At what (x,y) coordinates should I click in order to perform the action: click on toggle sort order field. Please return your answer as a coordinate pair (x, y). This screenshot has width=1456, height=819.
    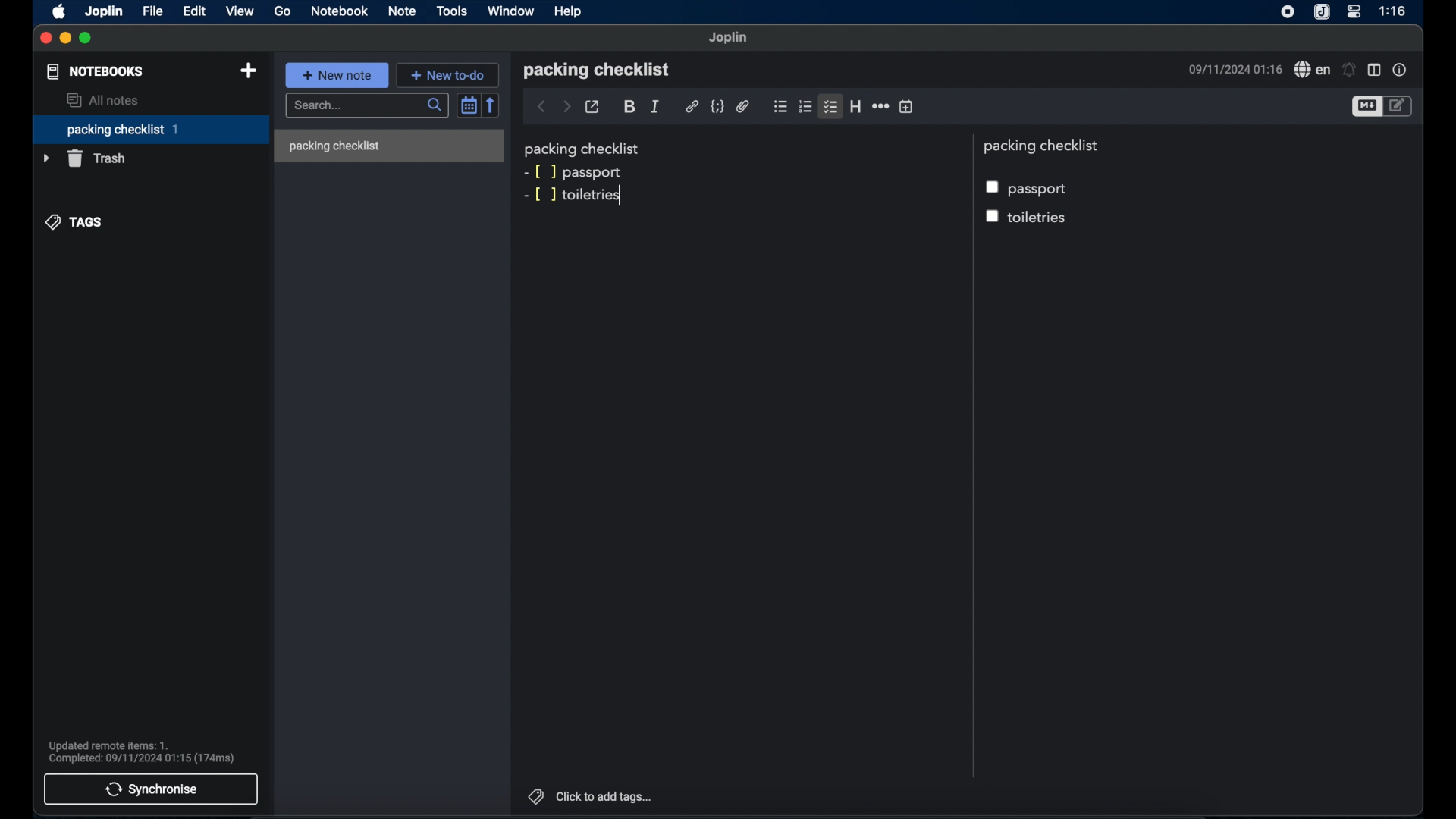
    Looking at the image, I should click on (468, 105).